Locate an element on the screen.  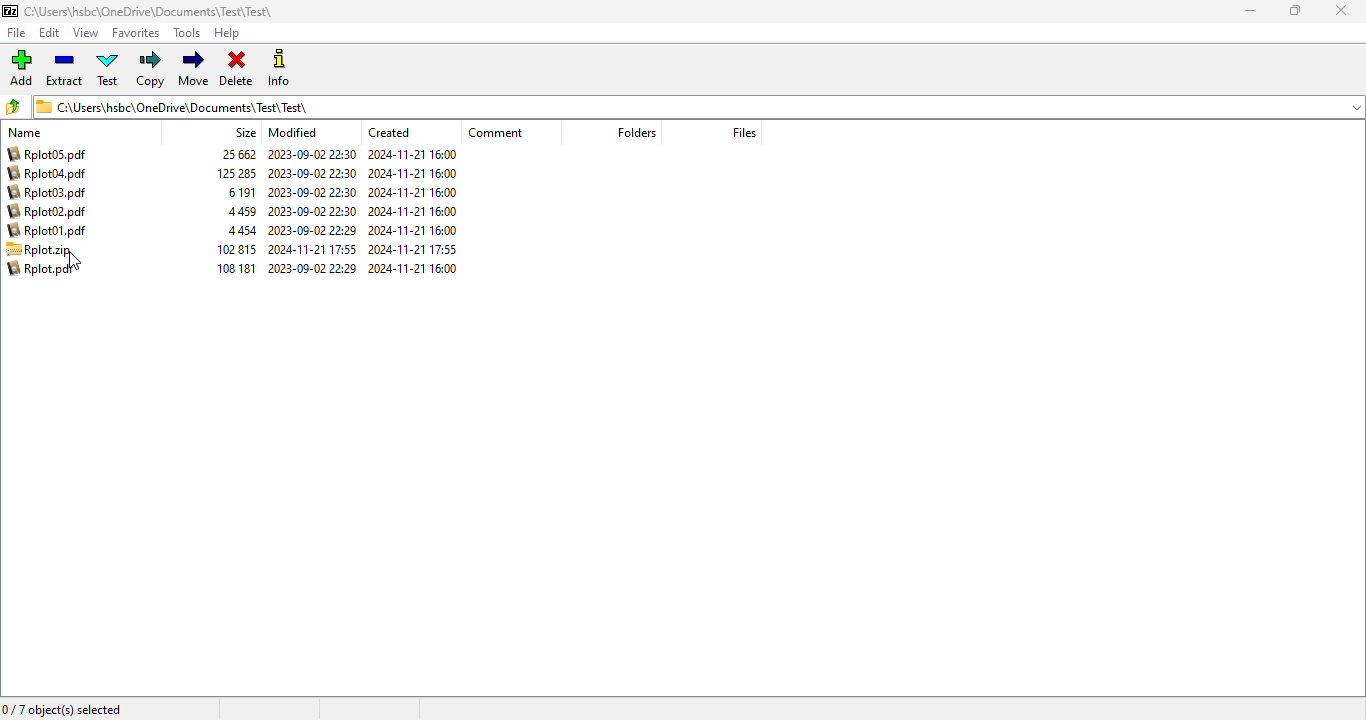
delete is located at coordinates (237, 68).